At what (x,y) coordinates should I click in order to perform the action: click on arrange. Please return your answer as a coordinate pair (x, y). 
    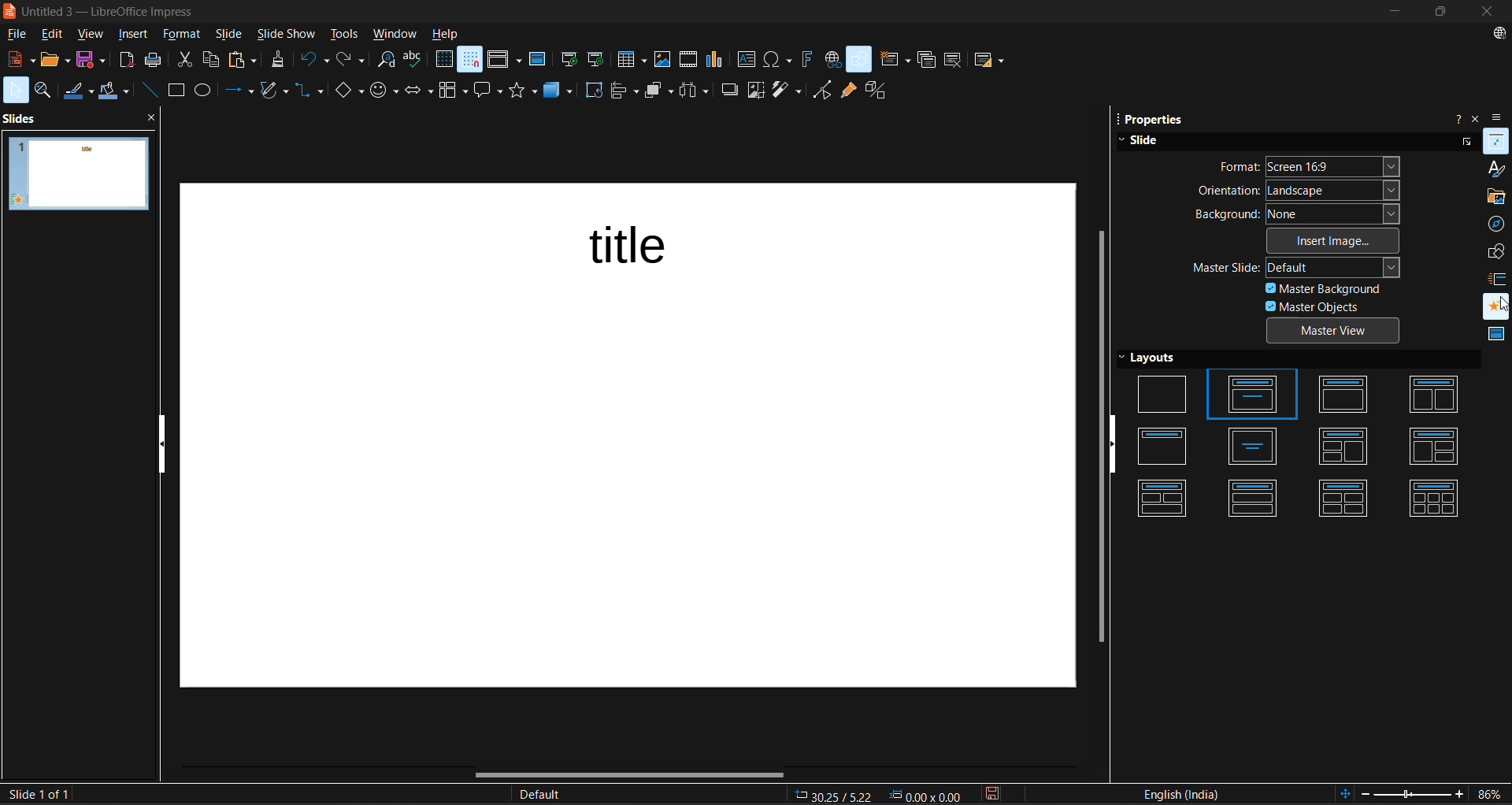
    Looking at the image, I should click on (661, 91).